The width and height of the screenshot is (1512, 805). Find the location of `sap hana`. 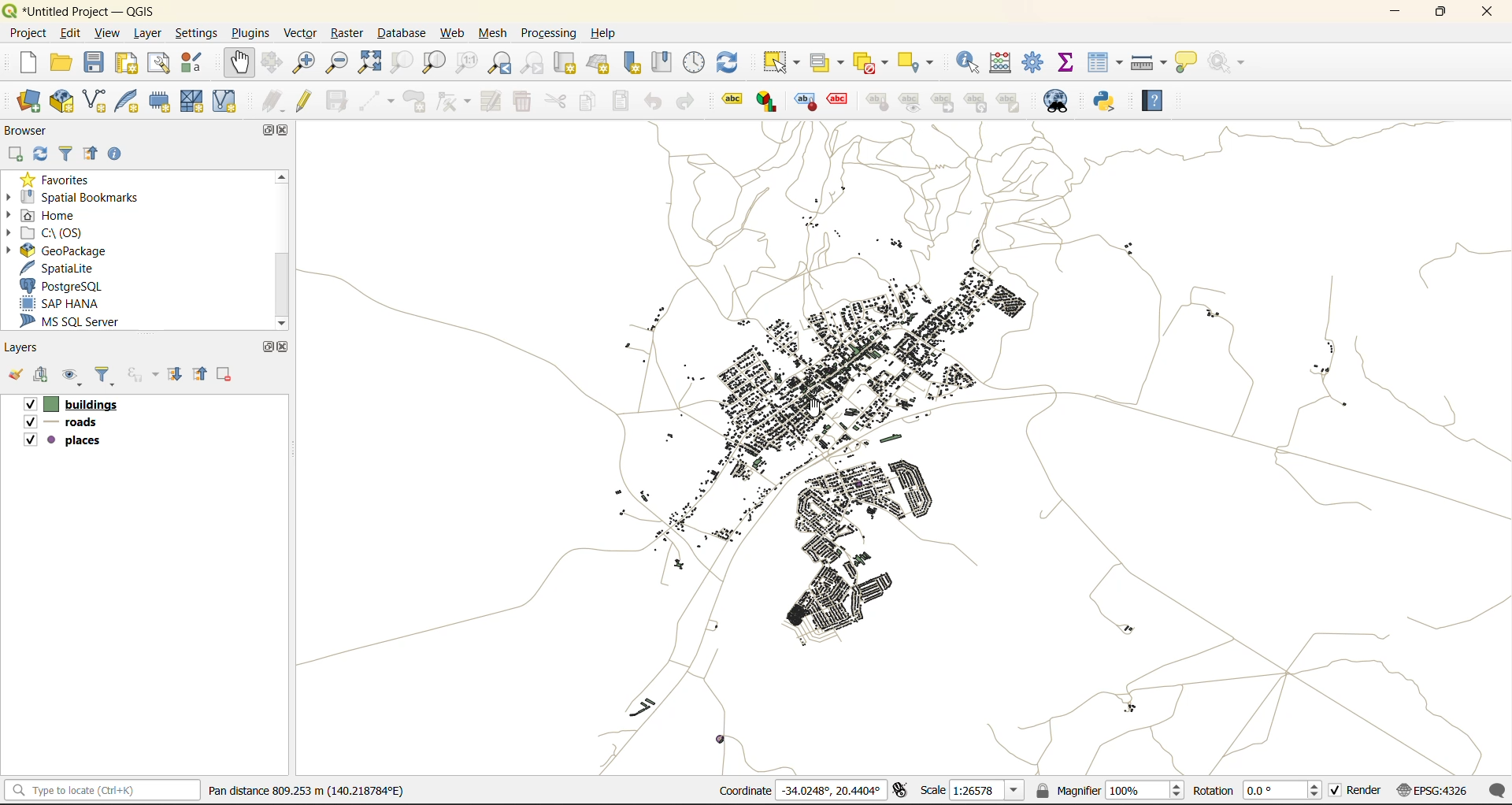

sap hana is located at coordinates (65, 304).